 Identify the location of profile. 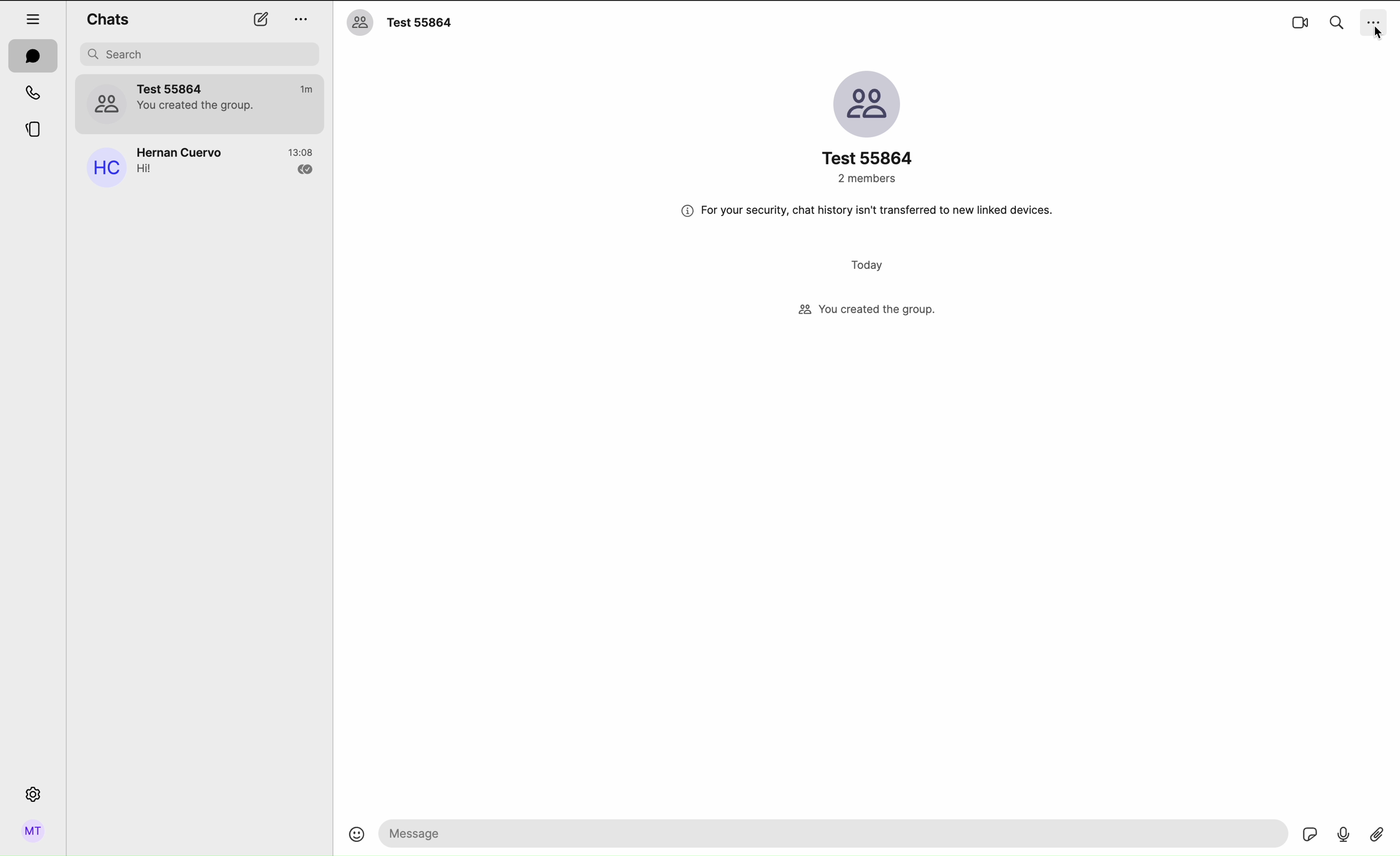
(31, 831).